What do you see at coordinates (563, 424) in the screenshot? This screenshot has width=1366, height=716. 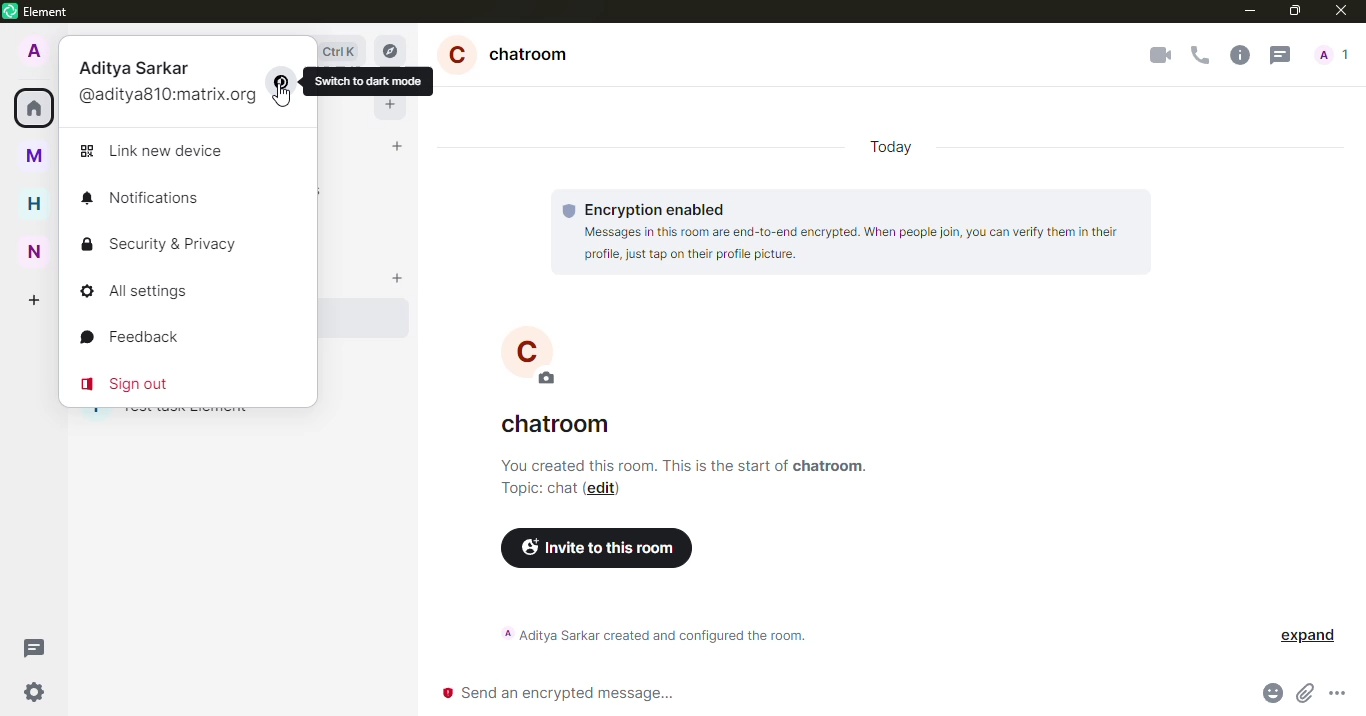 I see `chatroom` at bounding box center [563, 424].